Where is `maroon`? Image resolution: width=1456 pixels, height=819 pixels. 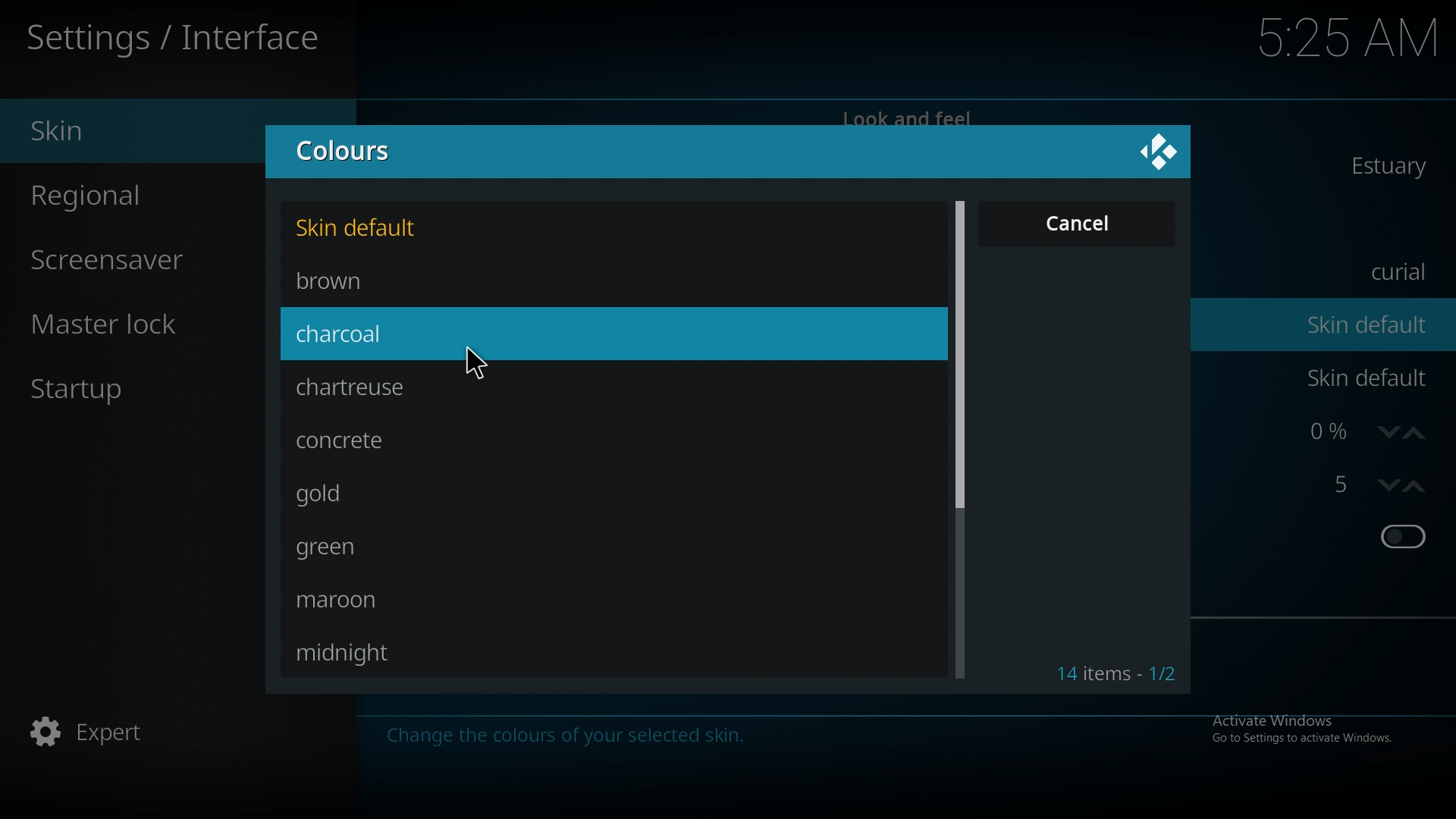
maroon is located at coordinates (356, 600).